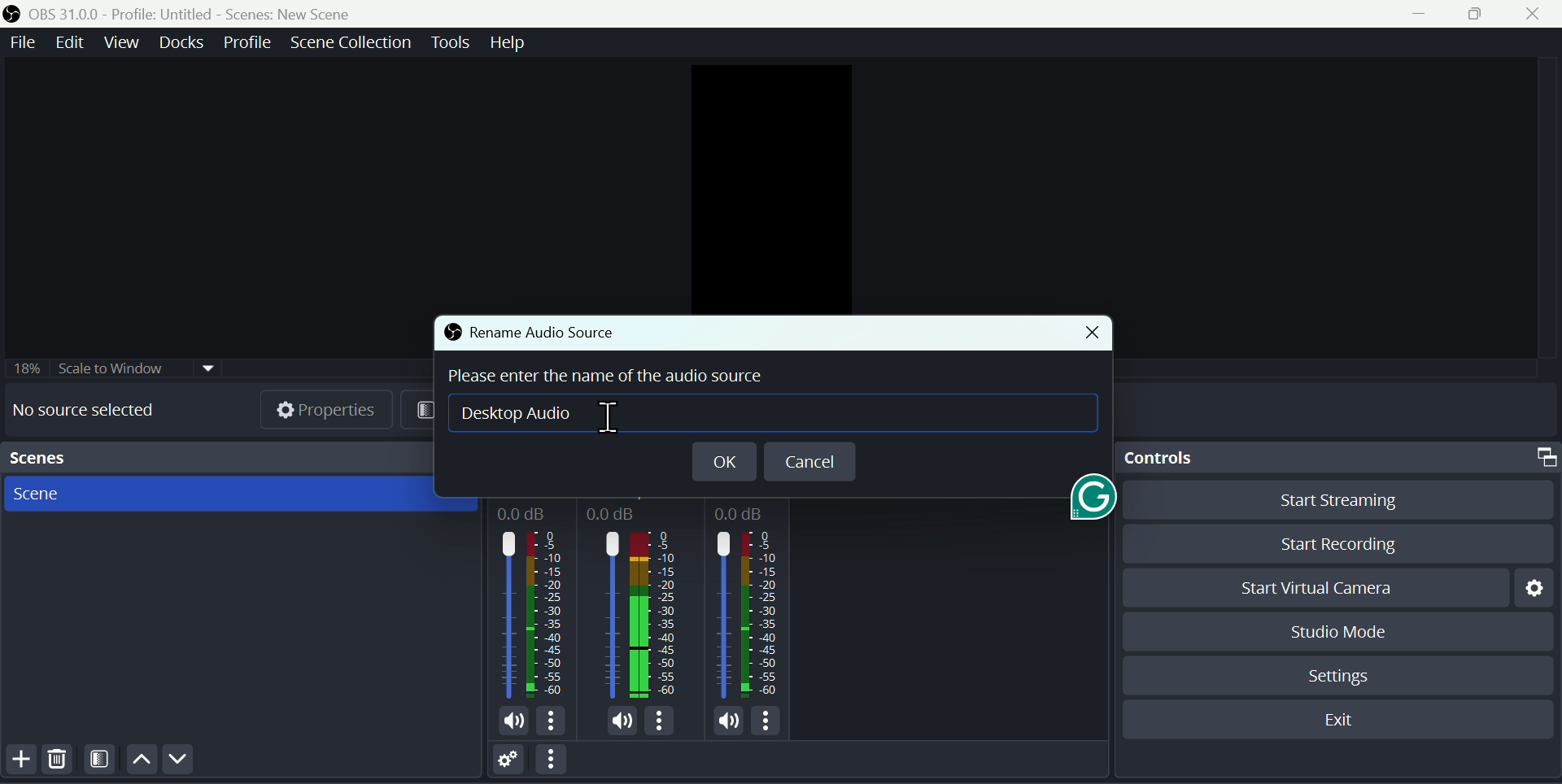 The image size is (1562, 784). I want to click on Properties, so click(331, 412).